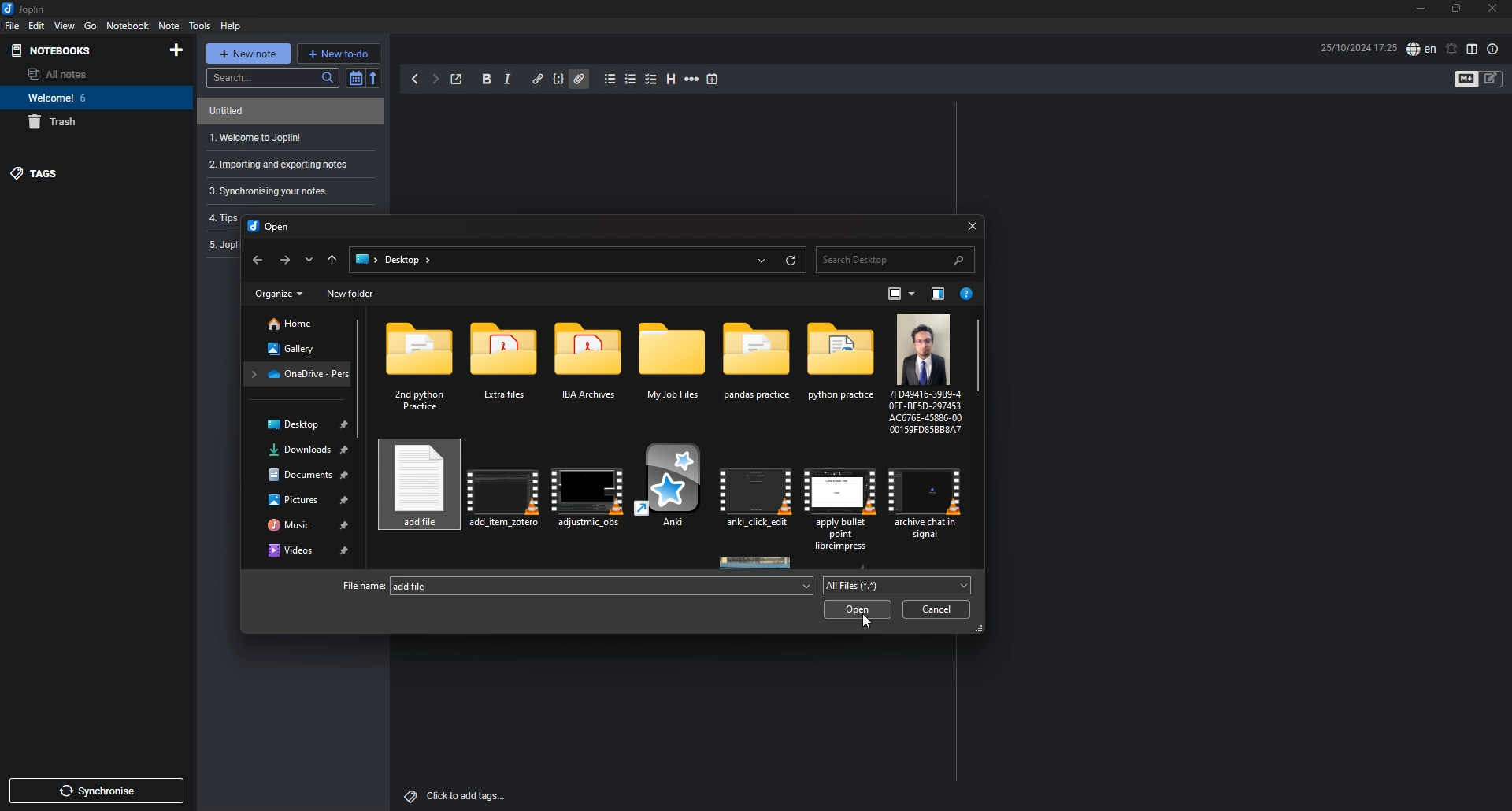  What do you see at coordinates (375, 78) in the screenshot?
I see `reverse sort order` at bounding box center [375, 78].